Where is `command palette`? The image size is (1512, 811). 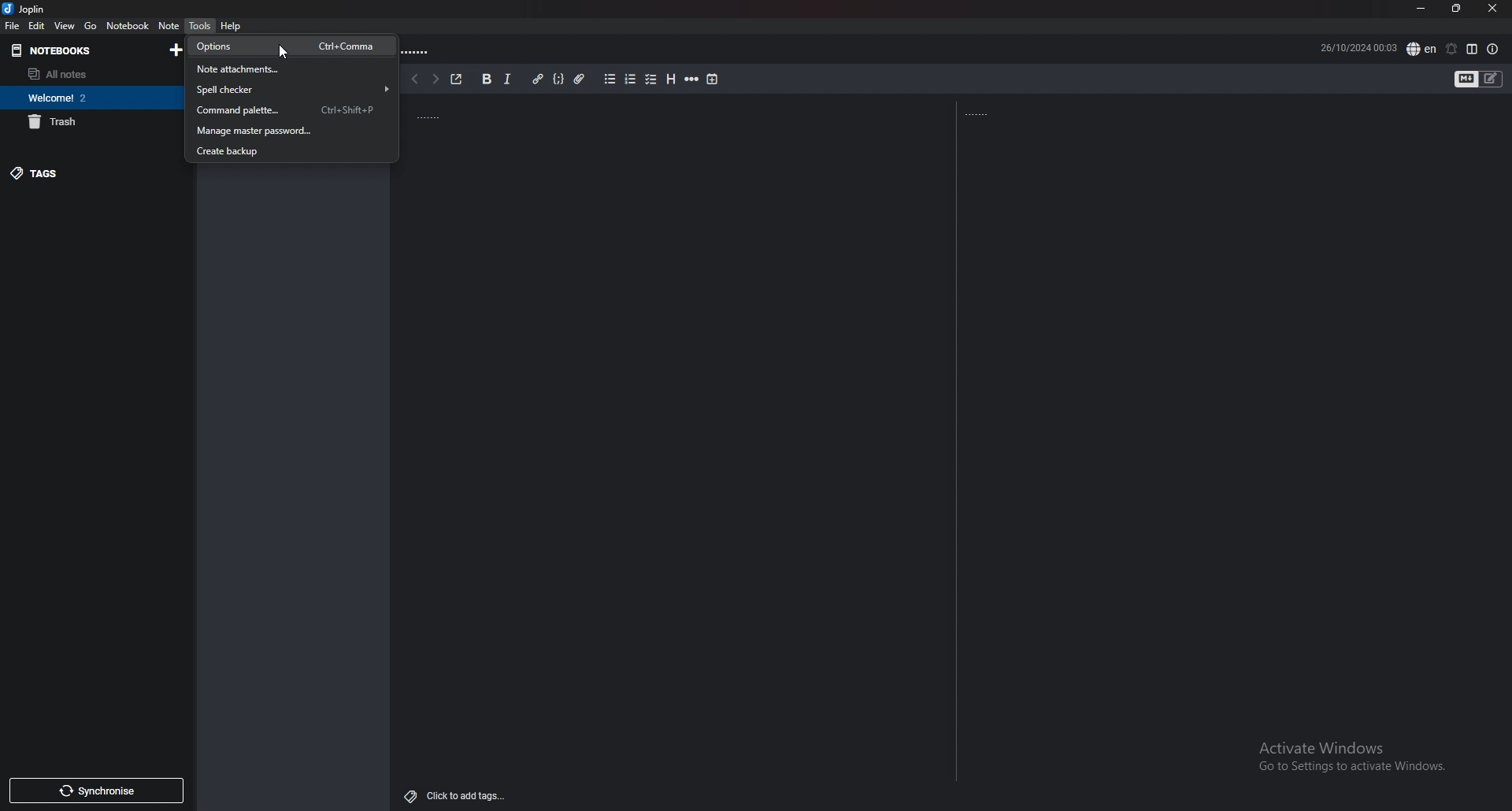 command palette is located at coordinates (287, 110).